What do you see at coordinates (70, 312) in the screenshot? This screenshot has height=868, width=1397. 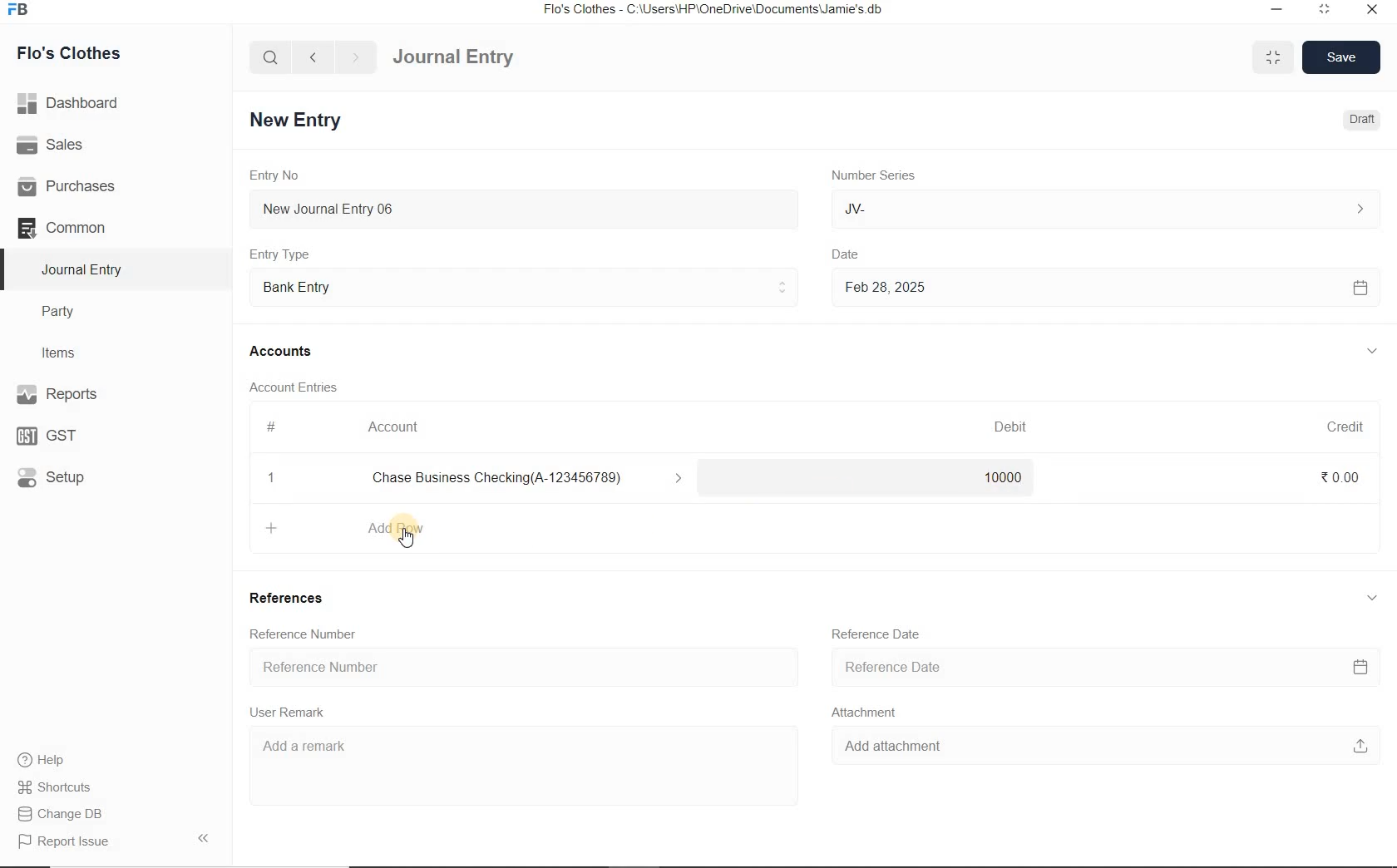 I see `Party` at bounding box center [70, 312].